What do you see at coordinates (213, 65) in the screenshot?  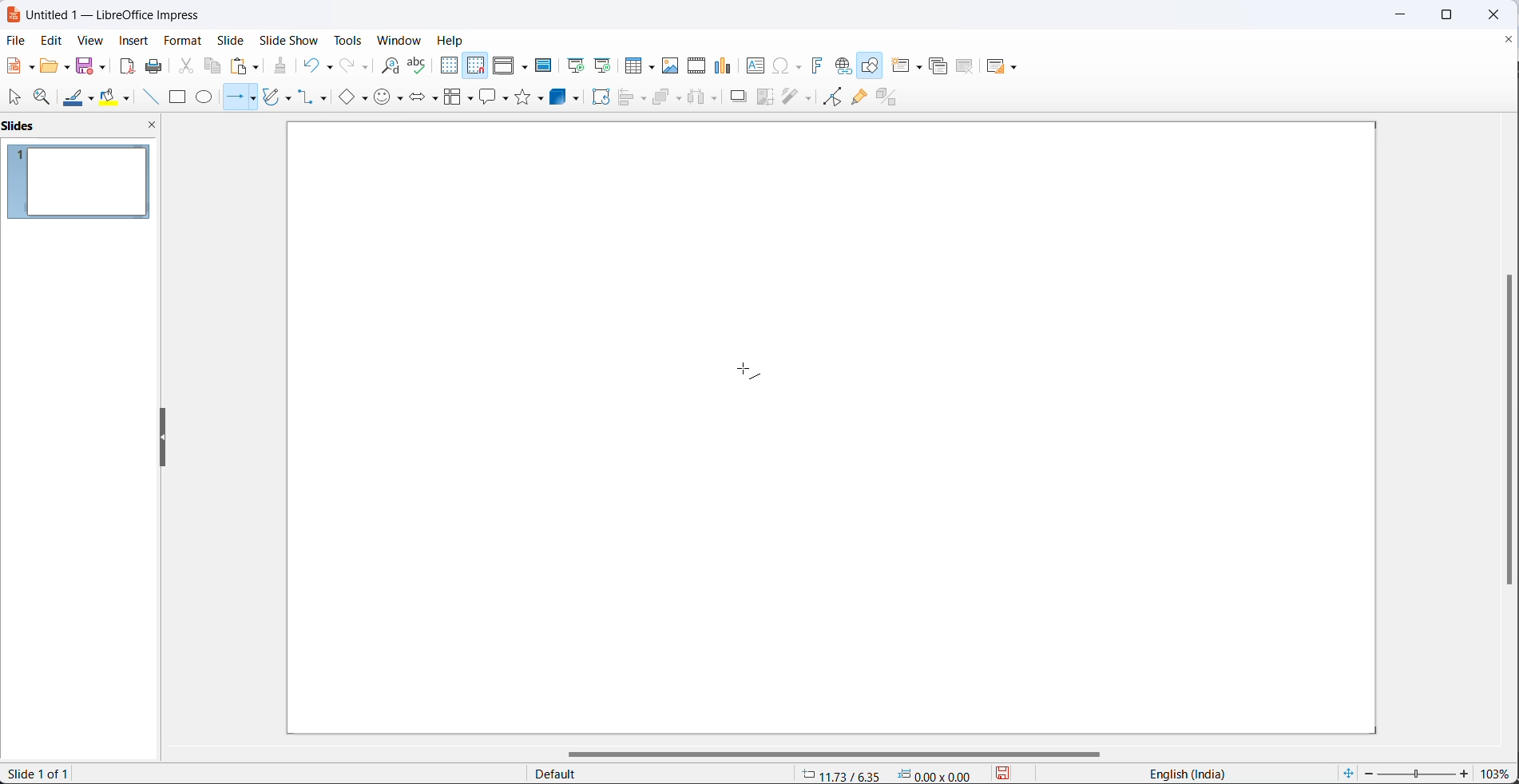 I see `copy` at bounding box center [213, 65].